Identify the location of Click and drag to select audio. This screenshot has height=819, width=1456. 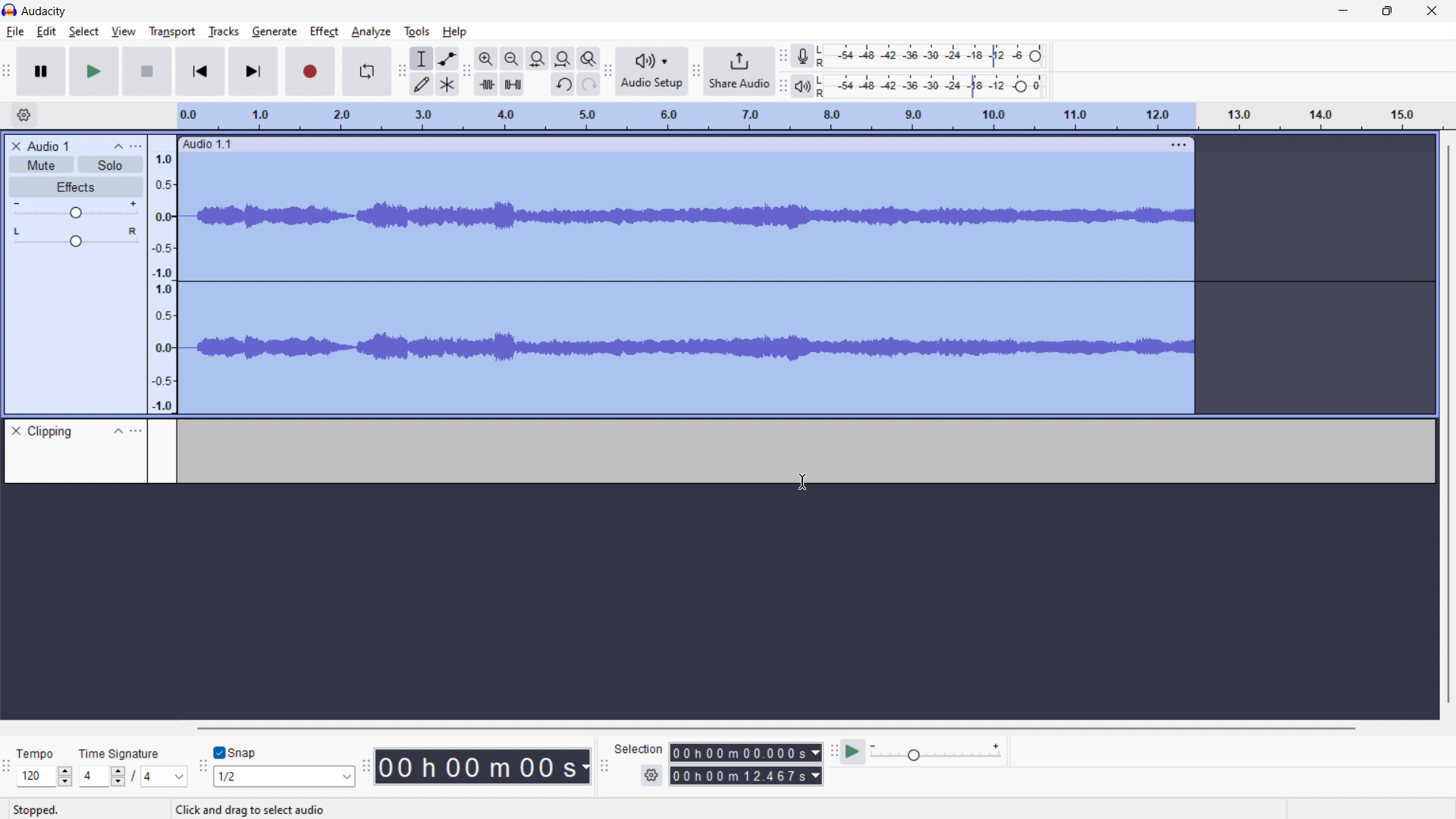
(429, 808).